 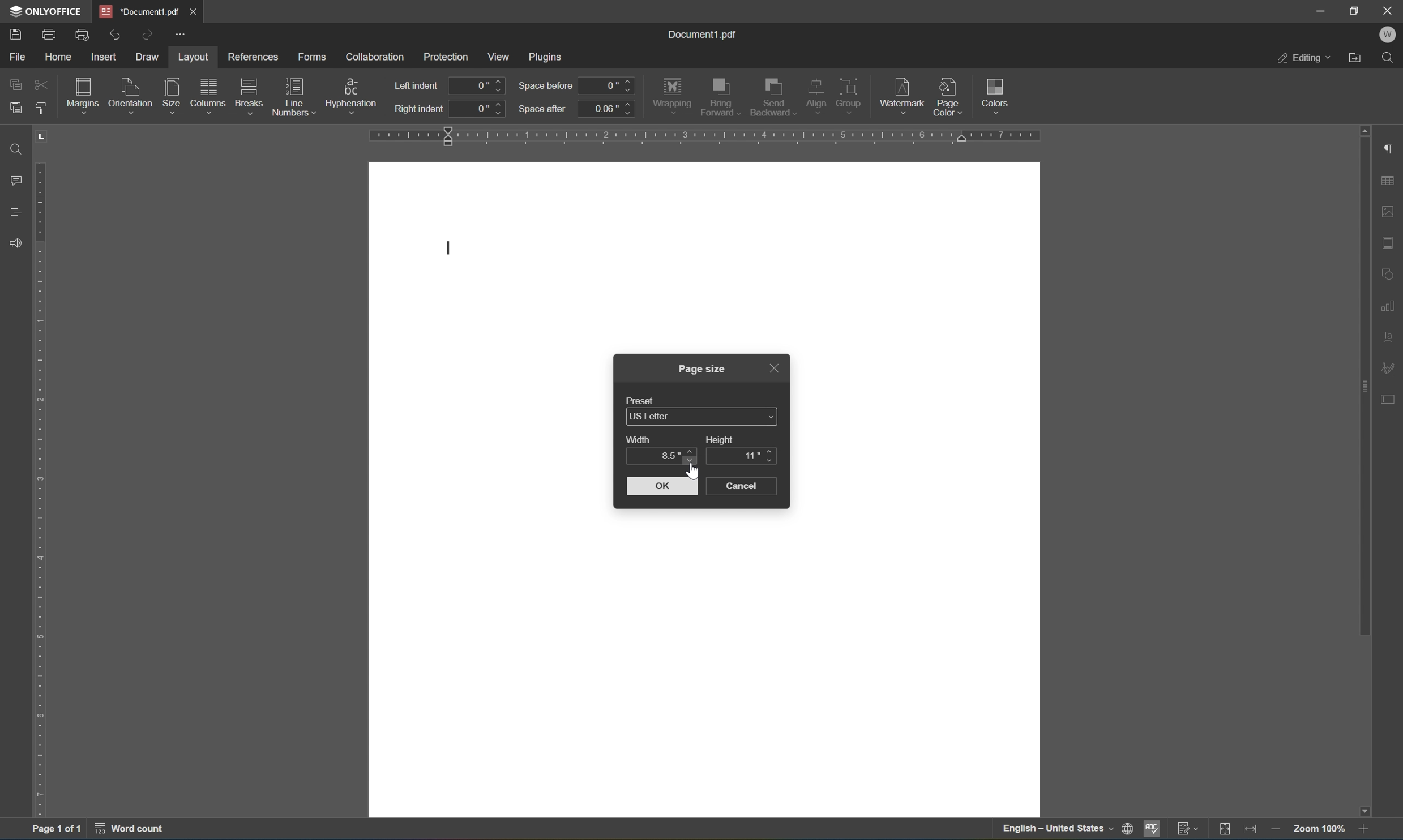 What do you see at coordinates (1388, 397) in the screenshot?
I see `Form settings` at bounding box center [1388, 397].